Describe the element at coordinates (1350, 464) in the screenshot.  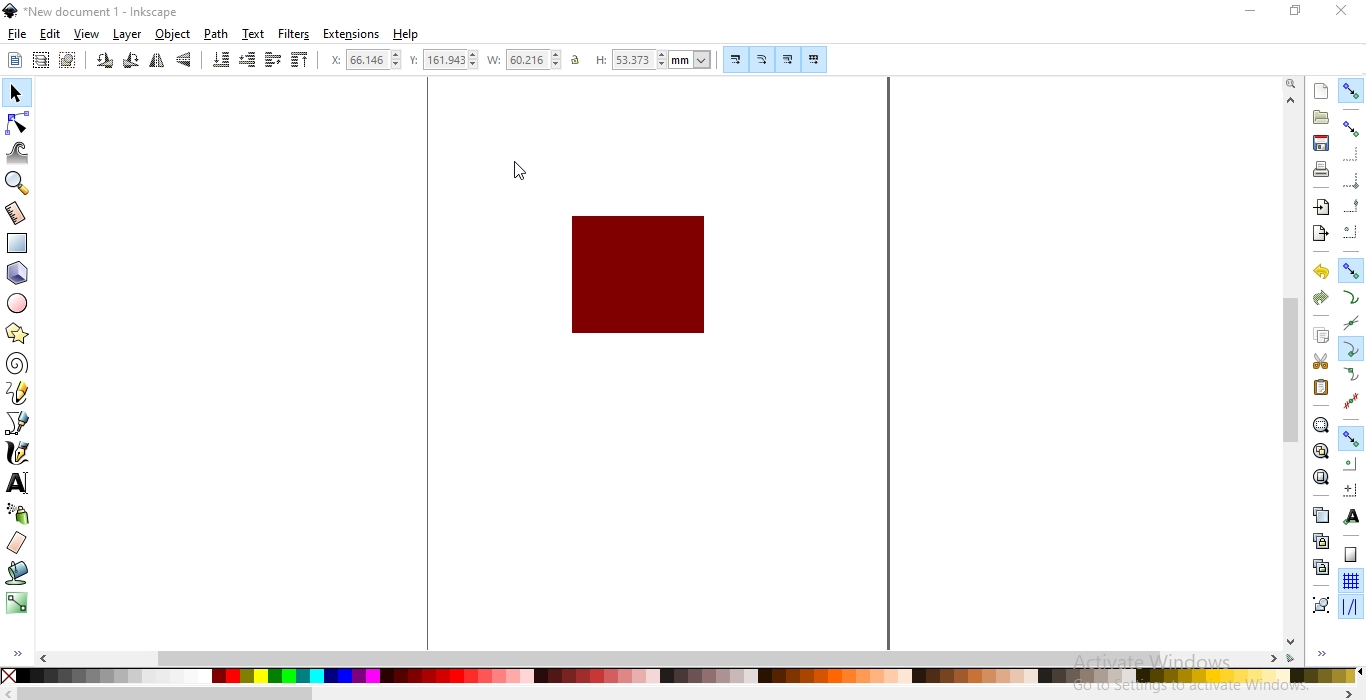
I see `snap centers to objects` at that location.